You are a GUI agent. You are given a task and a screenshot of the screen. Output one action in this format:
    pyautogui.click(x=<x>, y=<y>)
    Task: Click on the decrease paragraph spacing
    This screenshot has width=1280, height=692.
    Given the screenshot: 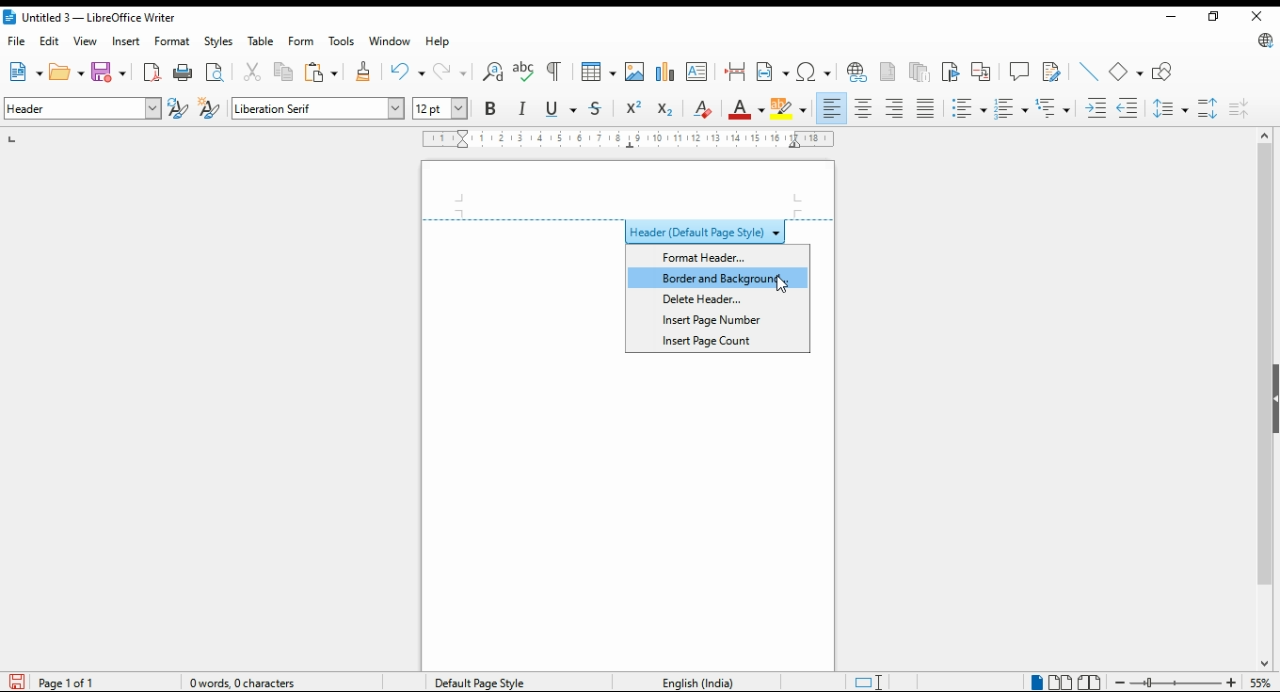 What is the action you would take?
    pyautogui.click(x=1239, y=108)
    